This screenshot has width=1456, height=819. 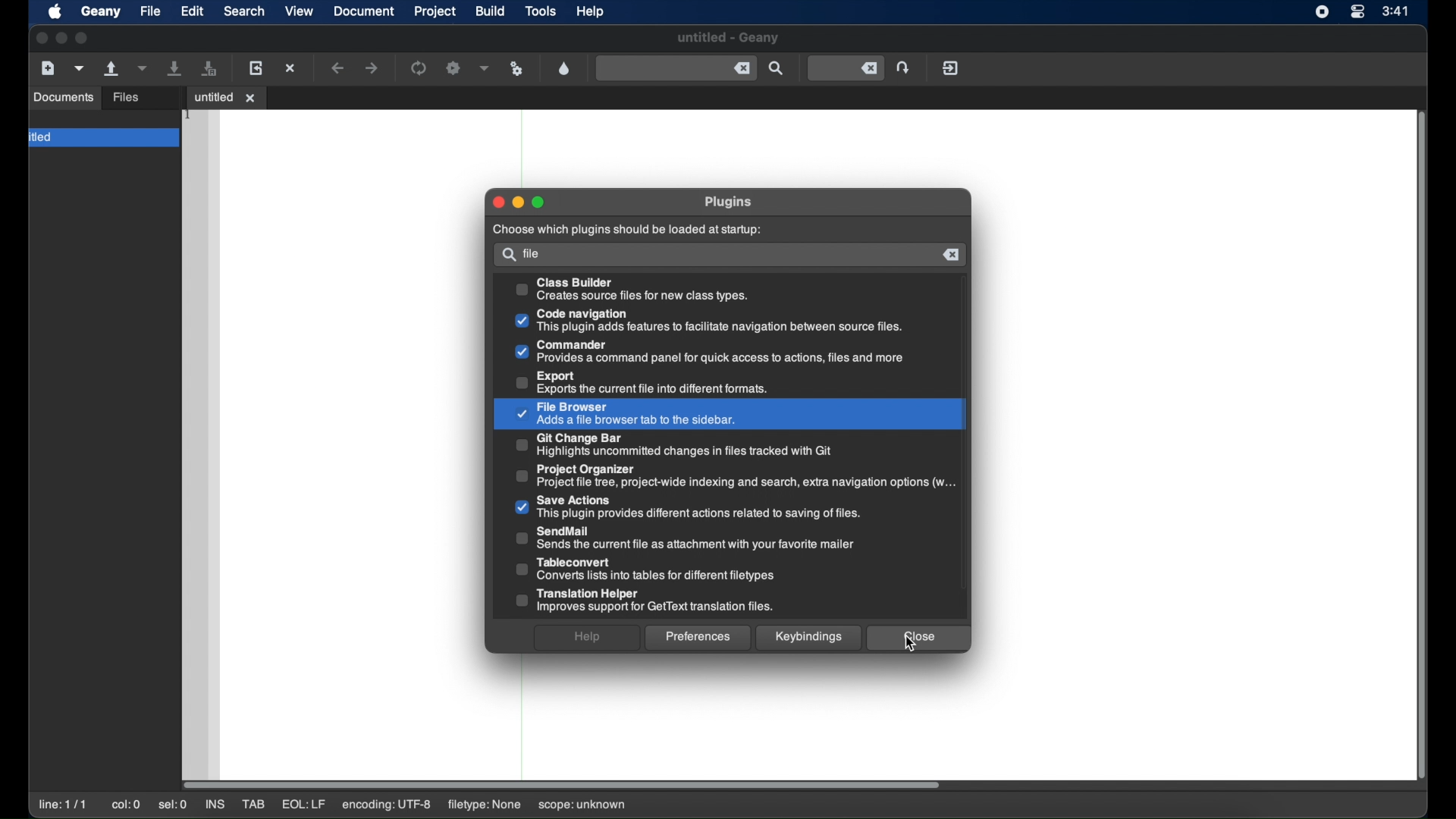 What do you see at coordinates (728, 38) in the screenshot?
I see `untitled - geany` at bounding box center [728, 38].